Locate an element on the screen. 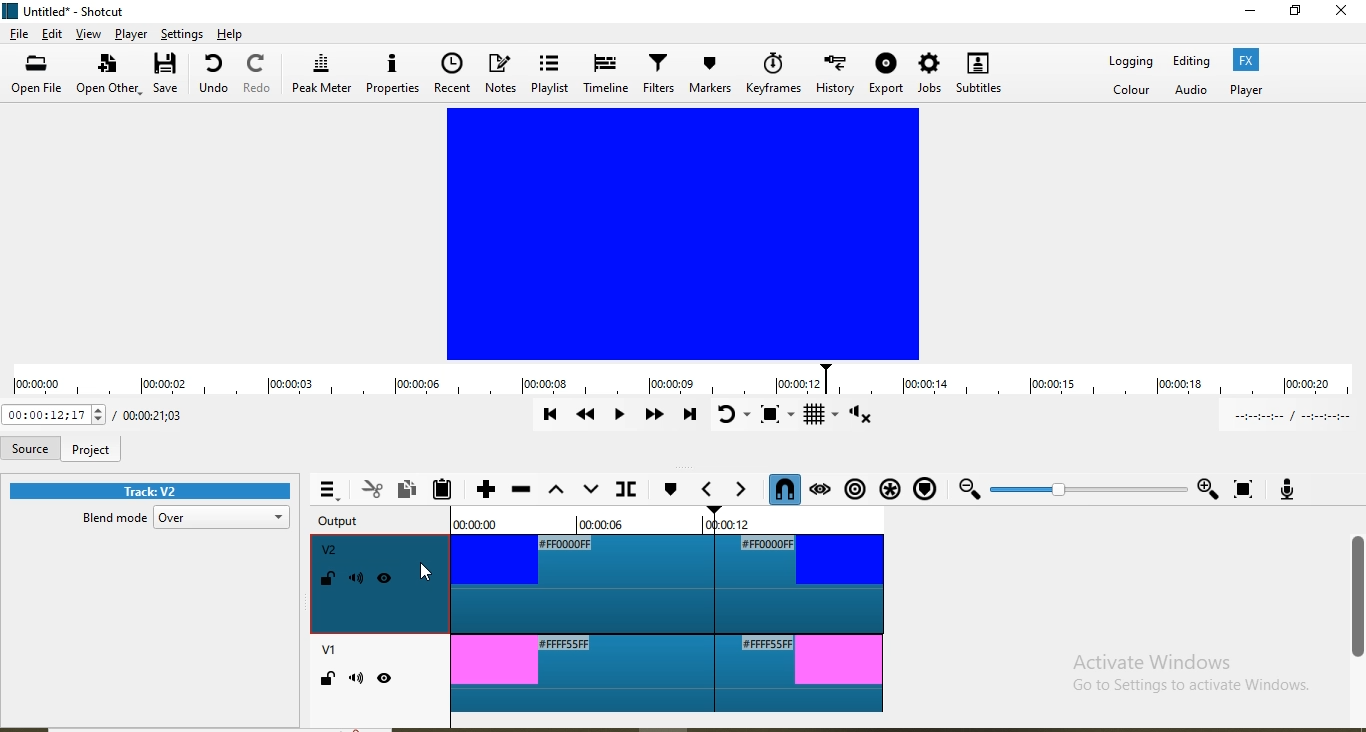 This screenshot has width=1366, height=732. Skip to previous is located at coordinates (549, 414).